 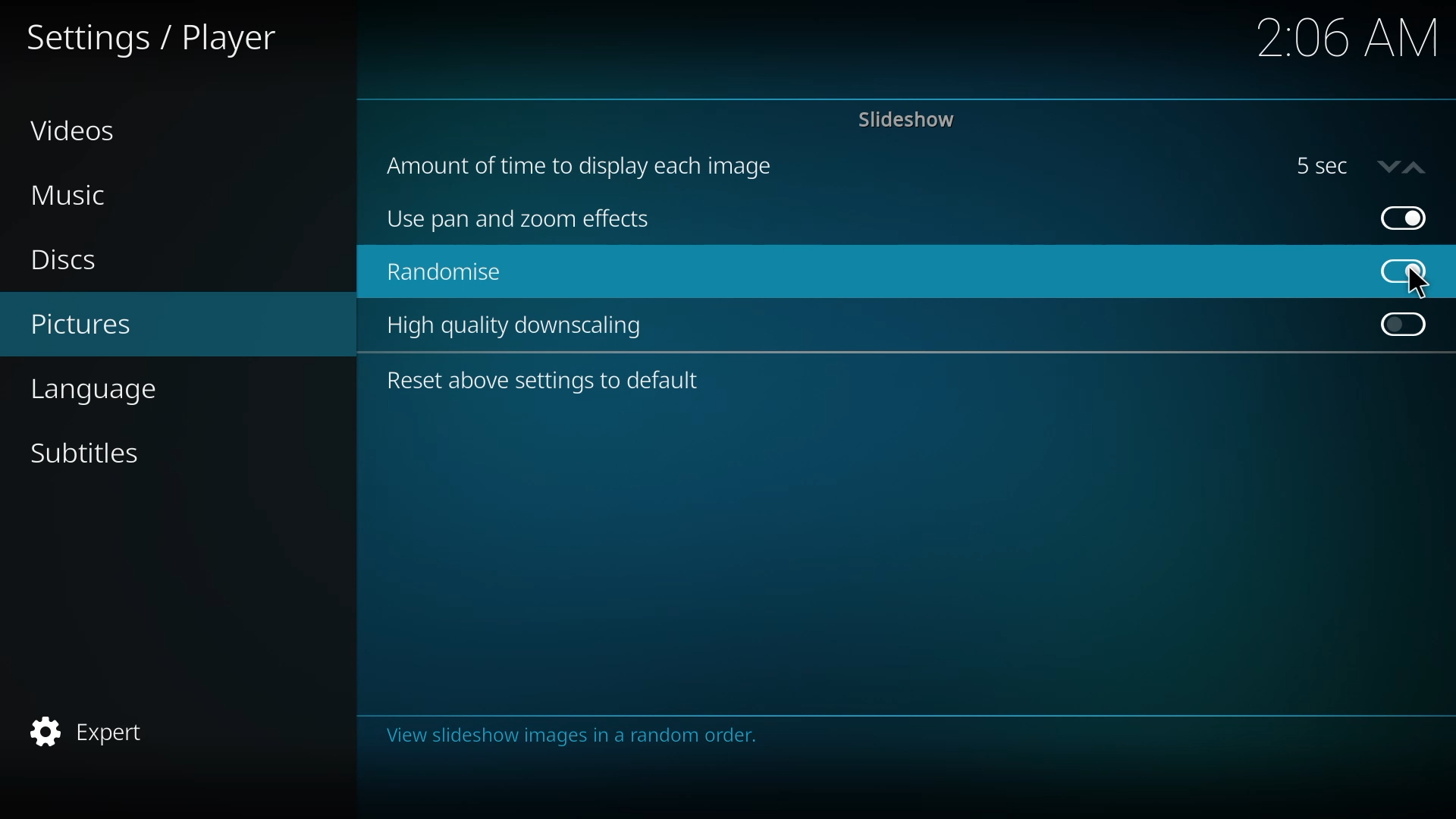 What do you see at coordinates (66, 257) in the screenshot?
I see `discs` at bounding box center [66, 257].